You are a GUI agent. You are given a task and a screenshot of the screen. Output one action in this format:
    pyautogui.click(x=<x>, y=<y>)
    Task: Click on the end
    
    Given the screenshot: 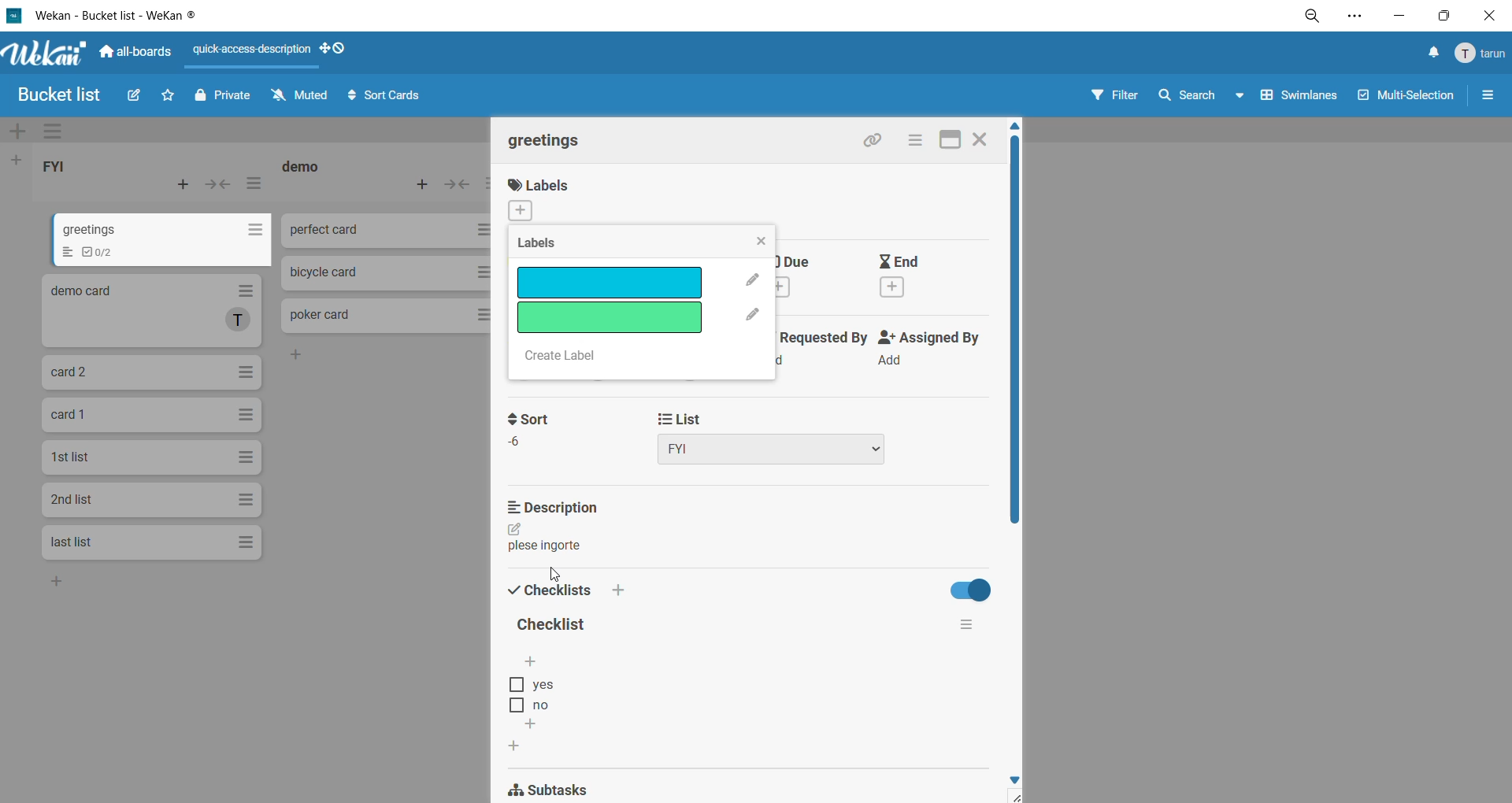 What is the action you would take?
    pyautogui.click(x=913, y=275)
    